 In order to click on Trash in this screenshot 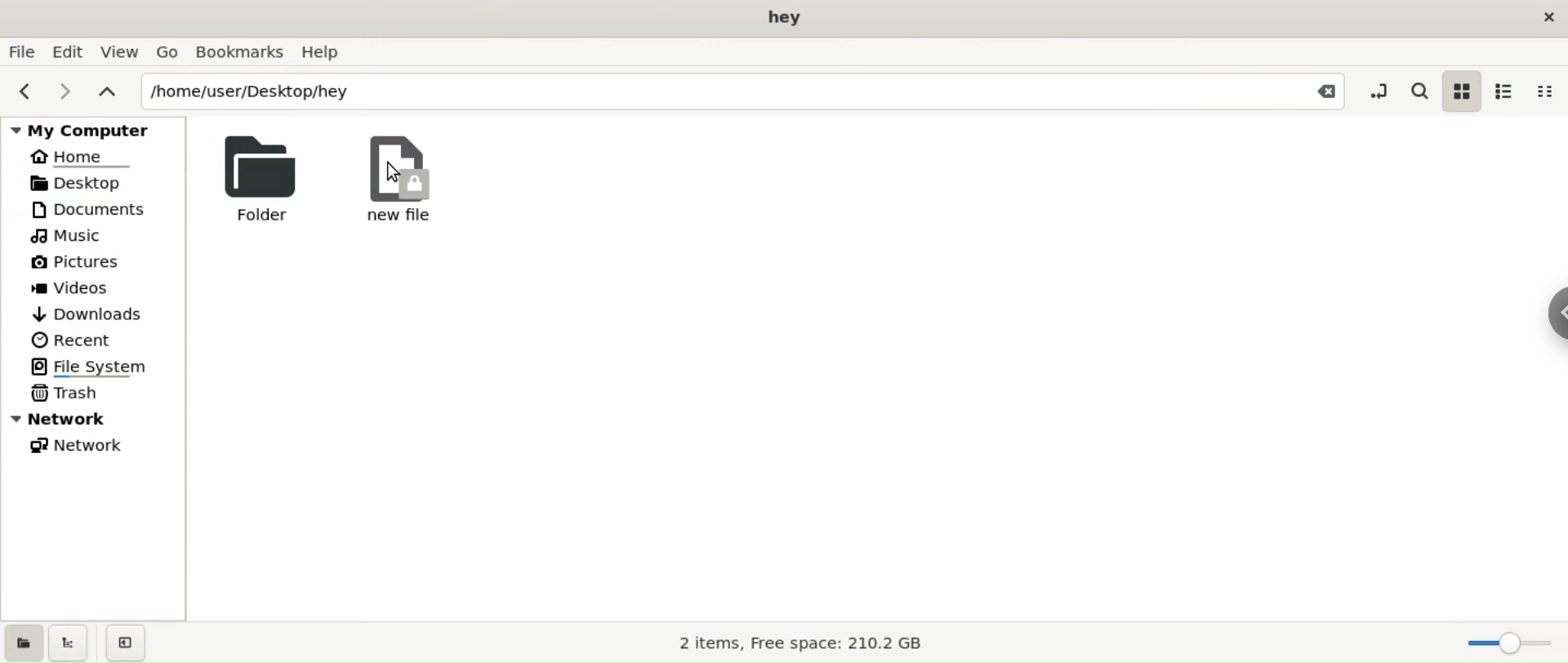, I will do `click(63, 394)`.